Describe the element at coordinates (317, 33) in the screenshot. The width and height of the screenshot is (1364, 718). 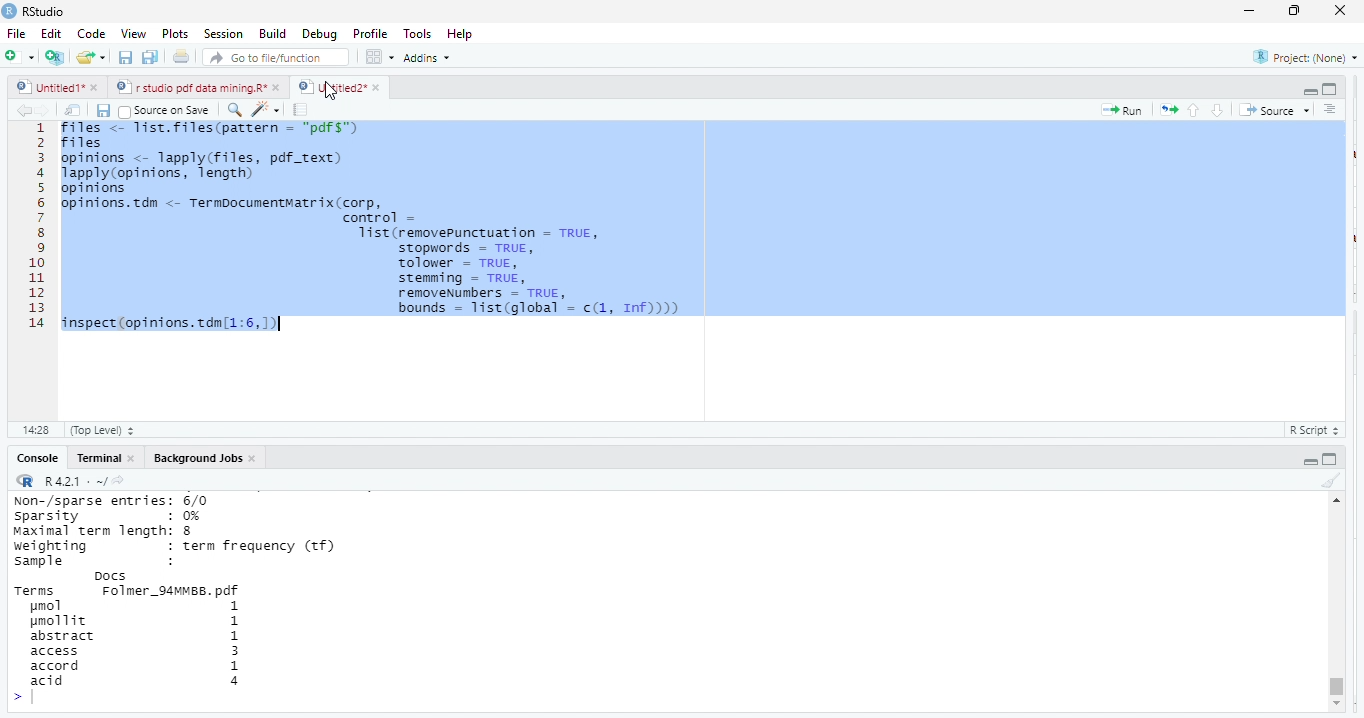
I see `debug` at that location.